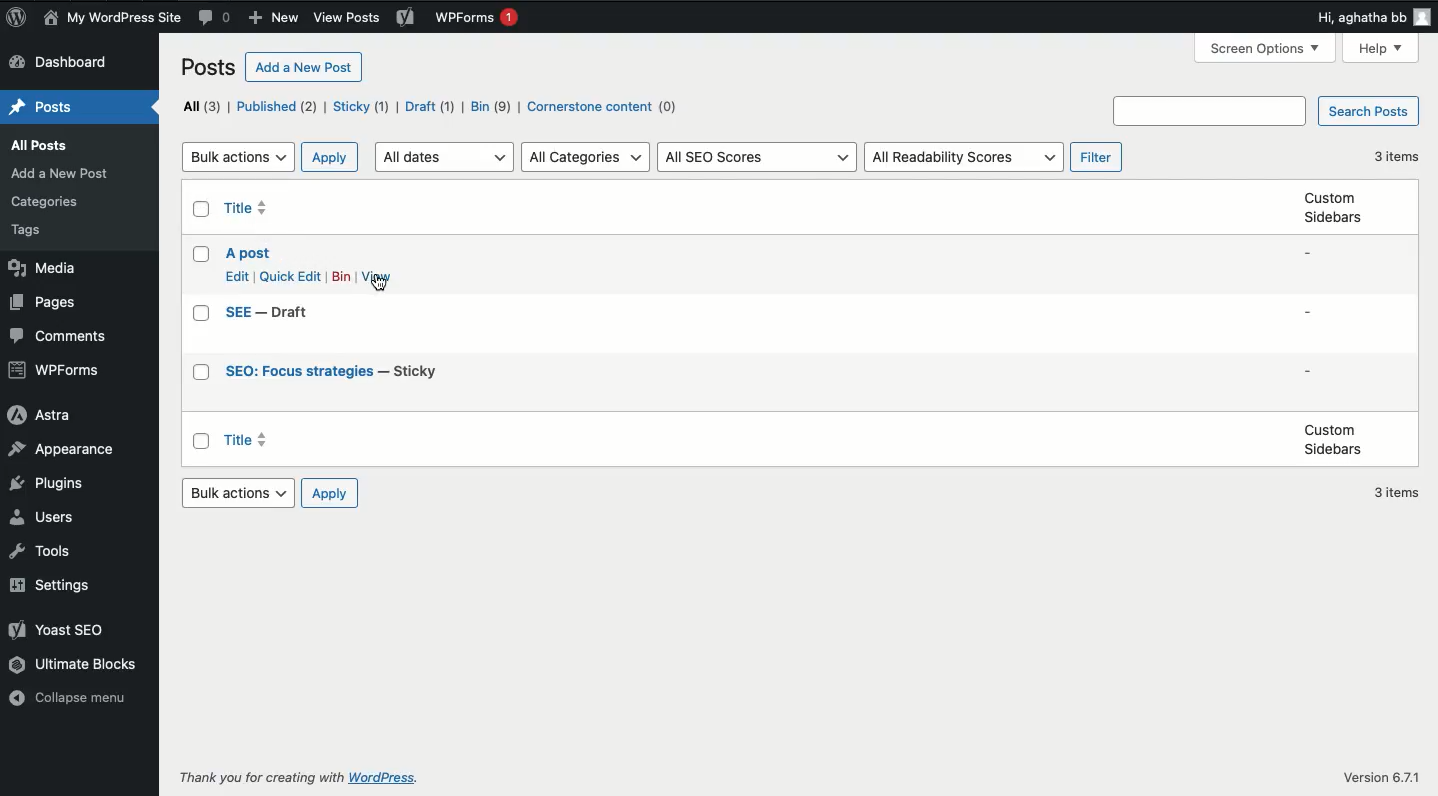  What do you see at coordinates (66, 453) in the screenshot?
I see `Appearance` at bounding box center [66, 453].